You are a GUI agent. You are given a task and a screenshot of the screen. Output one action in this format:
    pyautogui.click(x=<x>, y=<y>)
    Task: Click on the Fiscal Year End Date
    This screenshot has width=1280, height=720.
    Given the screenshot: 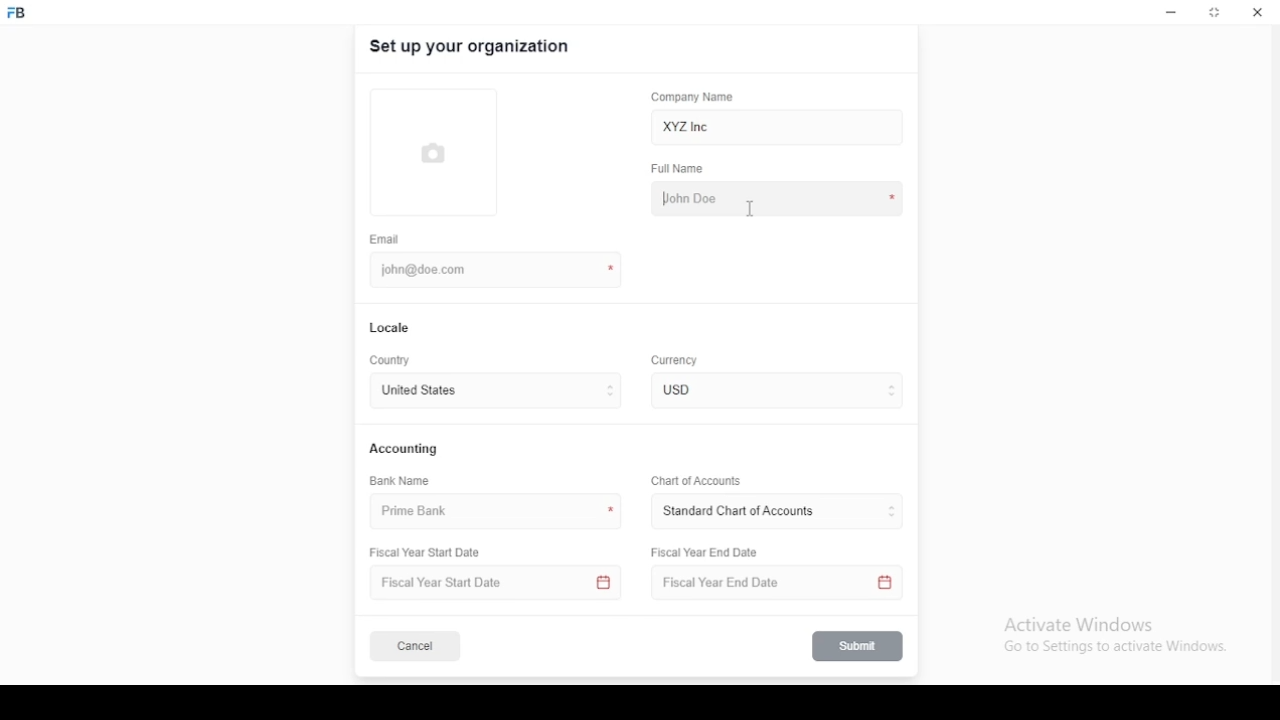 What is the action you would take?
    pyautogui.click(x=706, y=552)
    